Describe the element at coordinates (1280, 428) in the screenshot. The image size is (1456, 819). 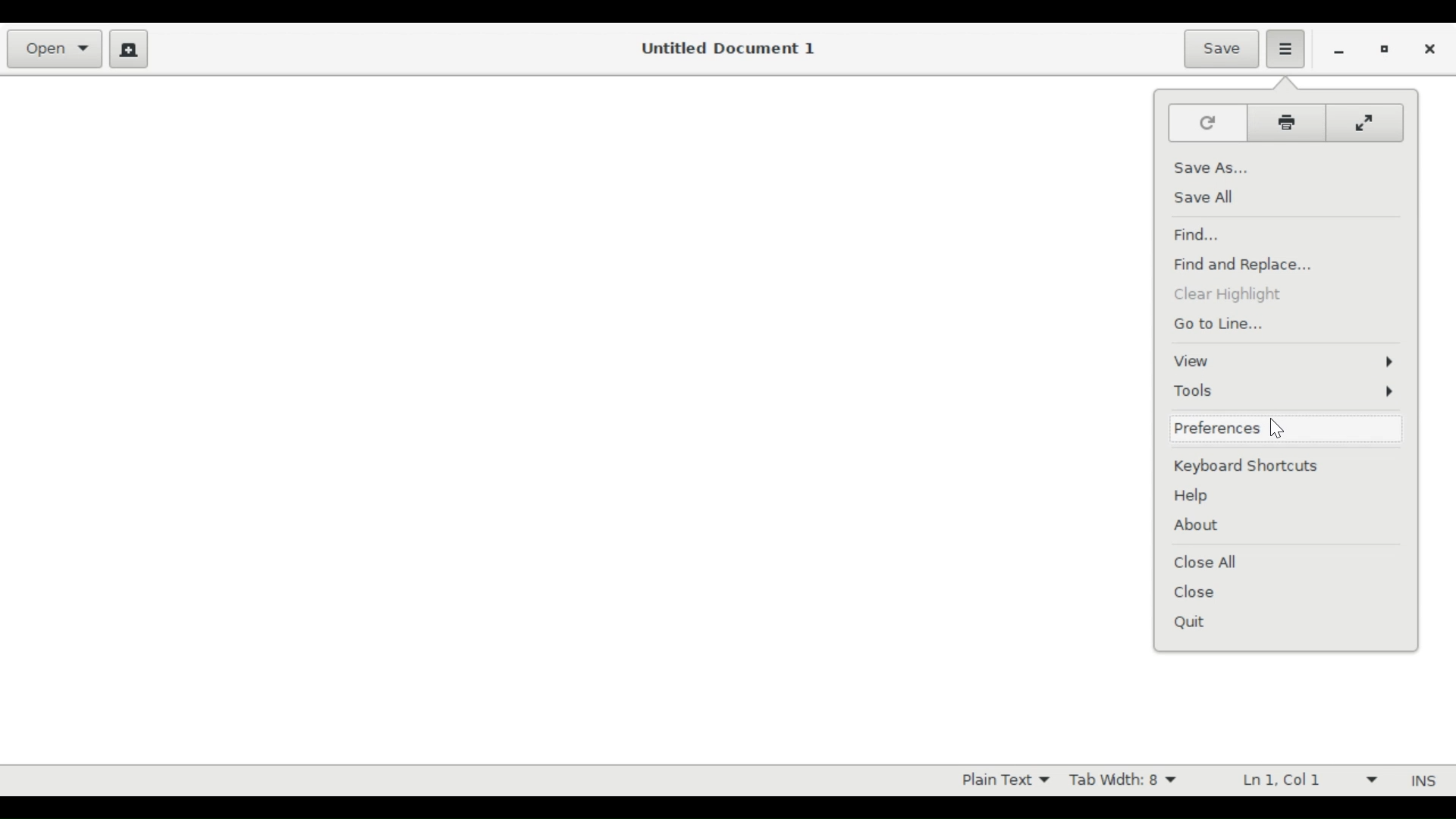
I see `cursor` at that location.